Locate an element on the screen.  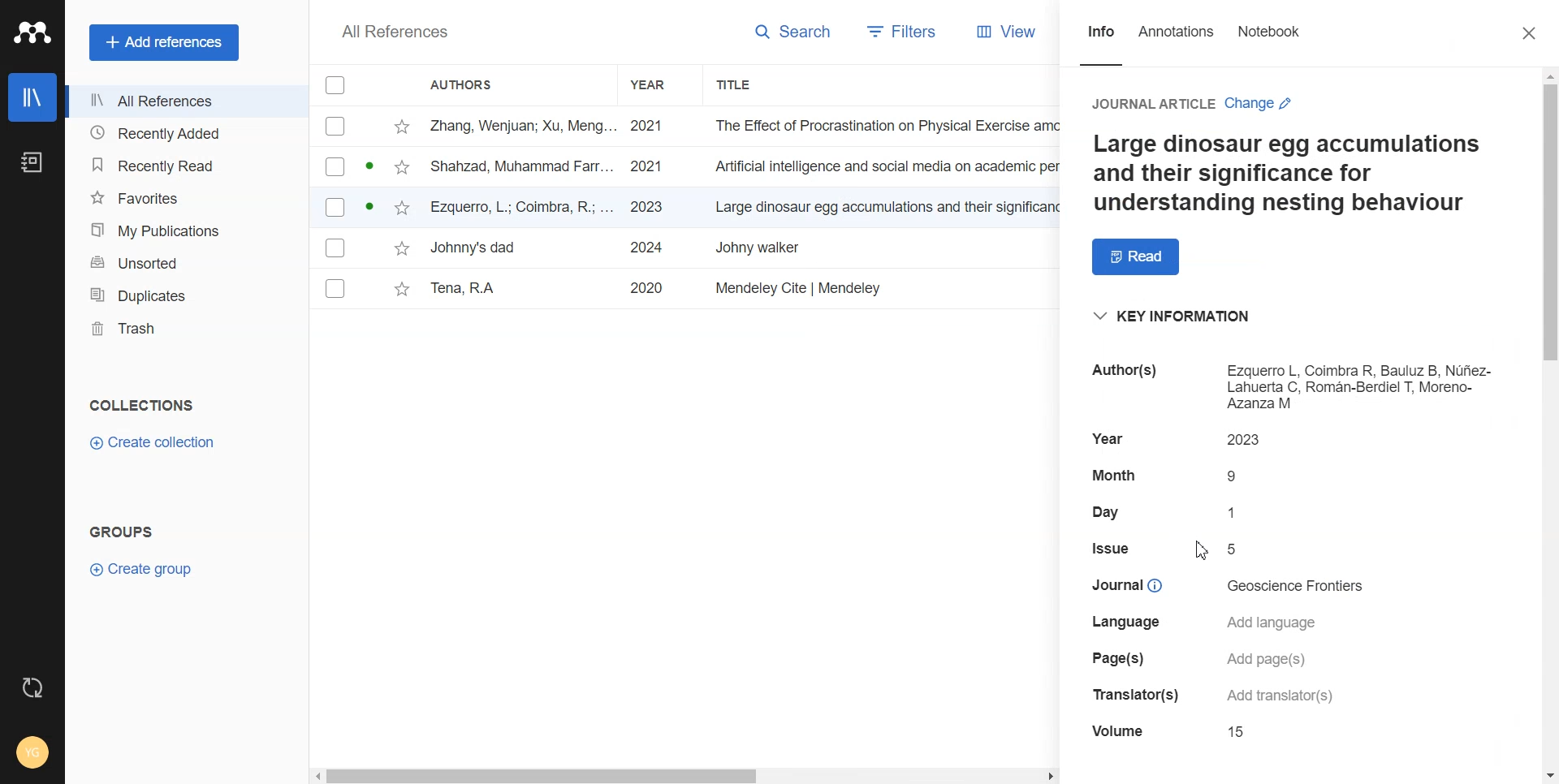
star is located at coordinates (403, 291).